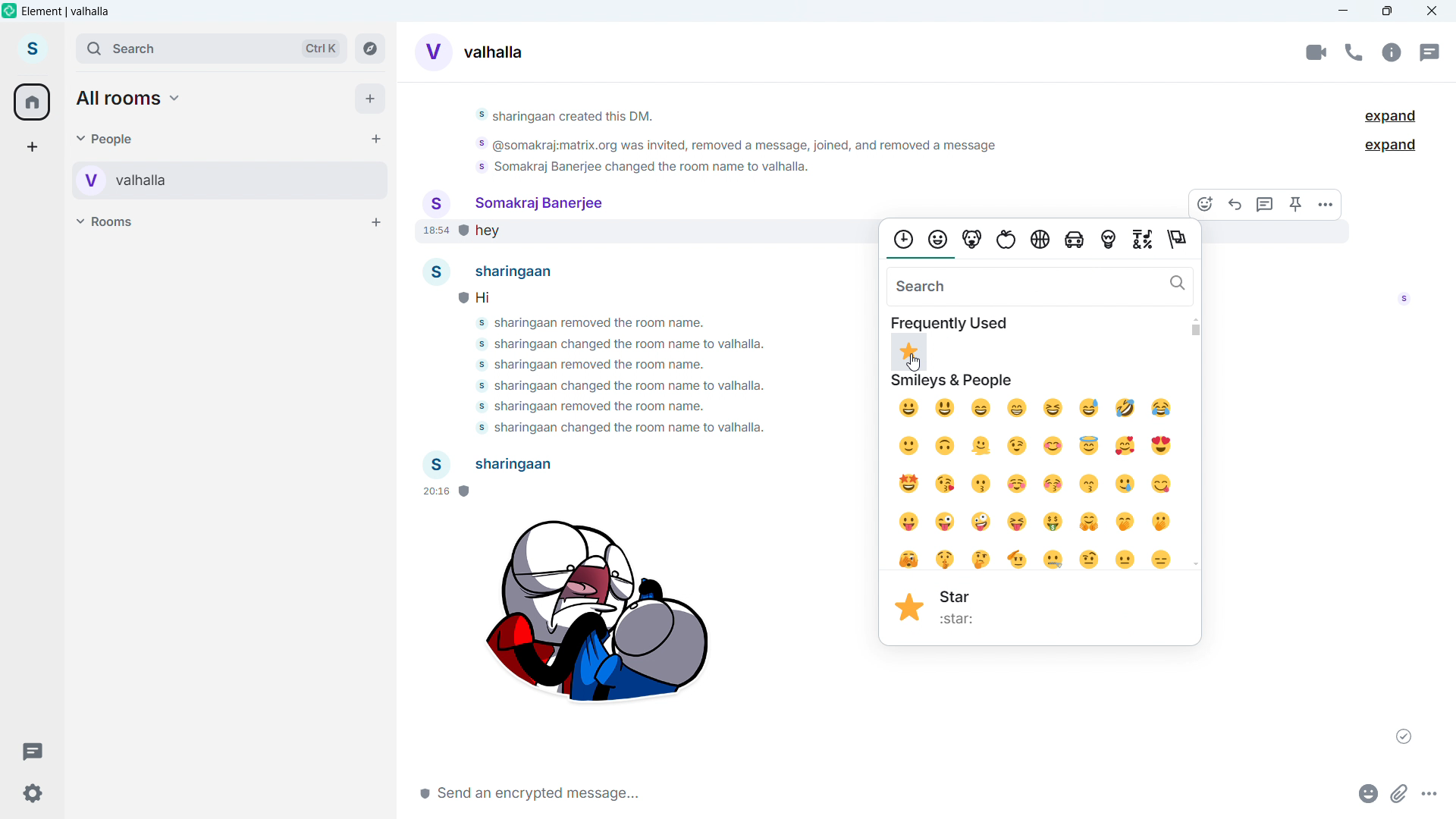 The image size is (1456, 819). I want to click on zony face, so click(982, 522).